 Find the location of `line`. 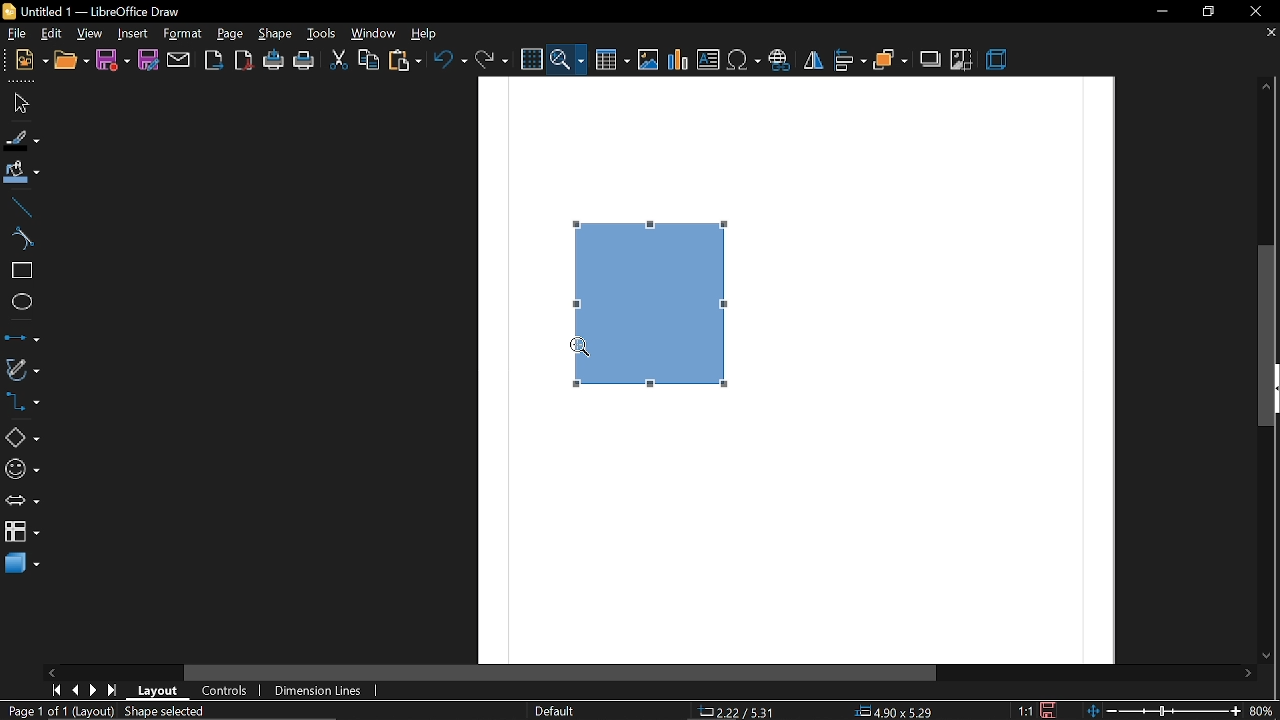

line is located at coordinates (18, 207).